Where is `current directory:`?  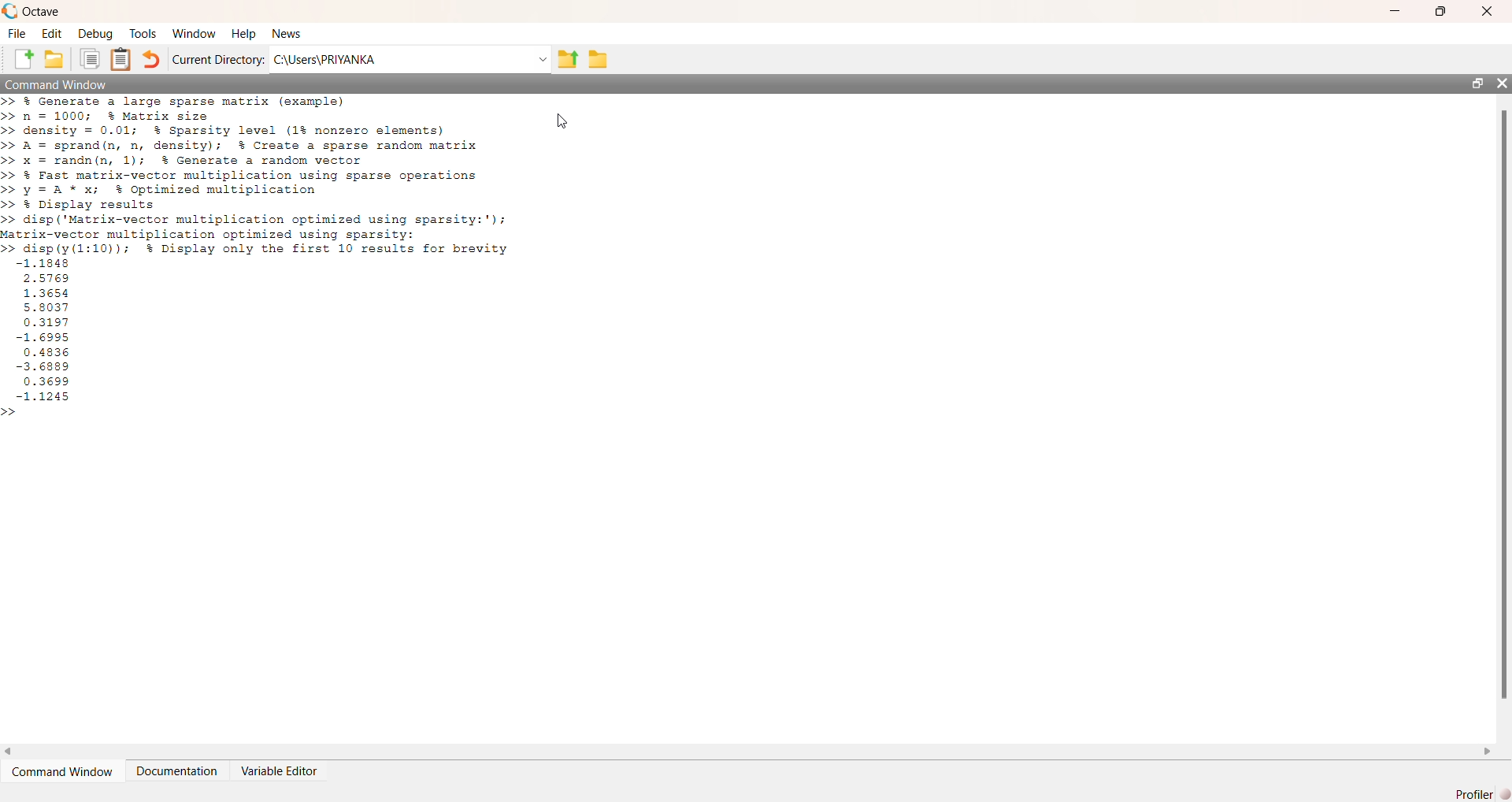 current directory: is located at coordinates (220, 60).